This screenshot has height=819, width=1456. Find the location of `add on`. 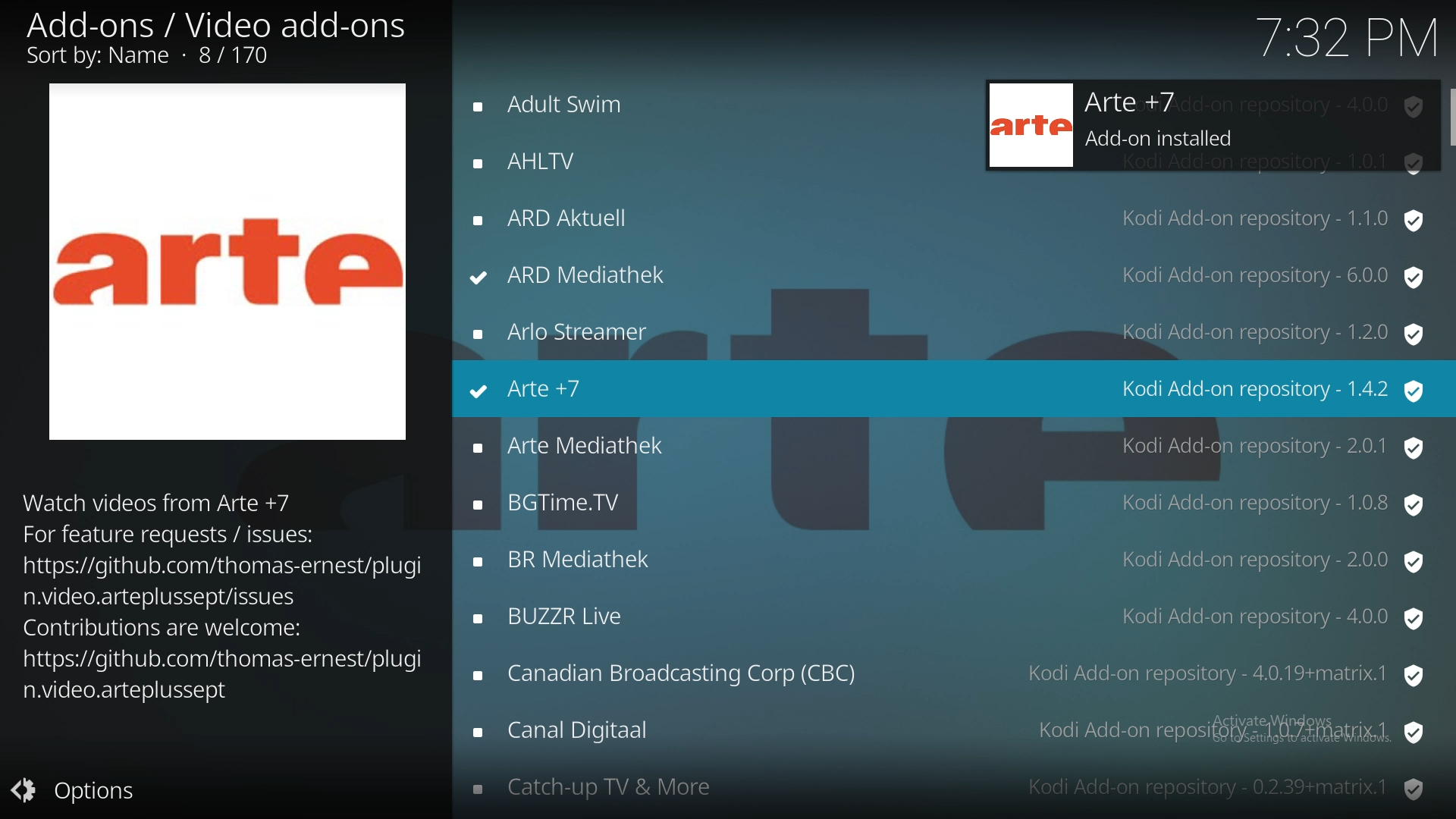

add on is located at coordinates (947, 733).